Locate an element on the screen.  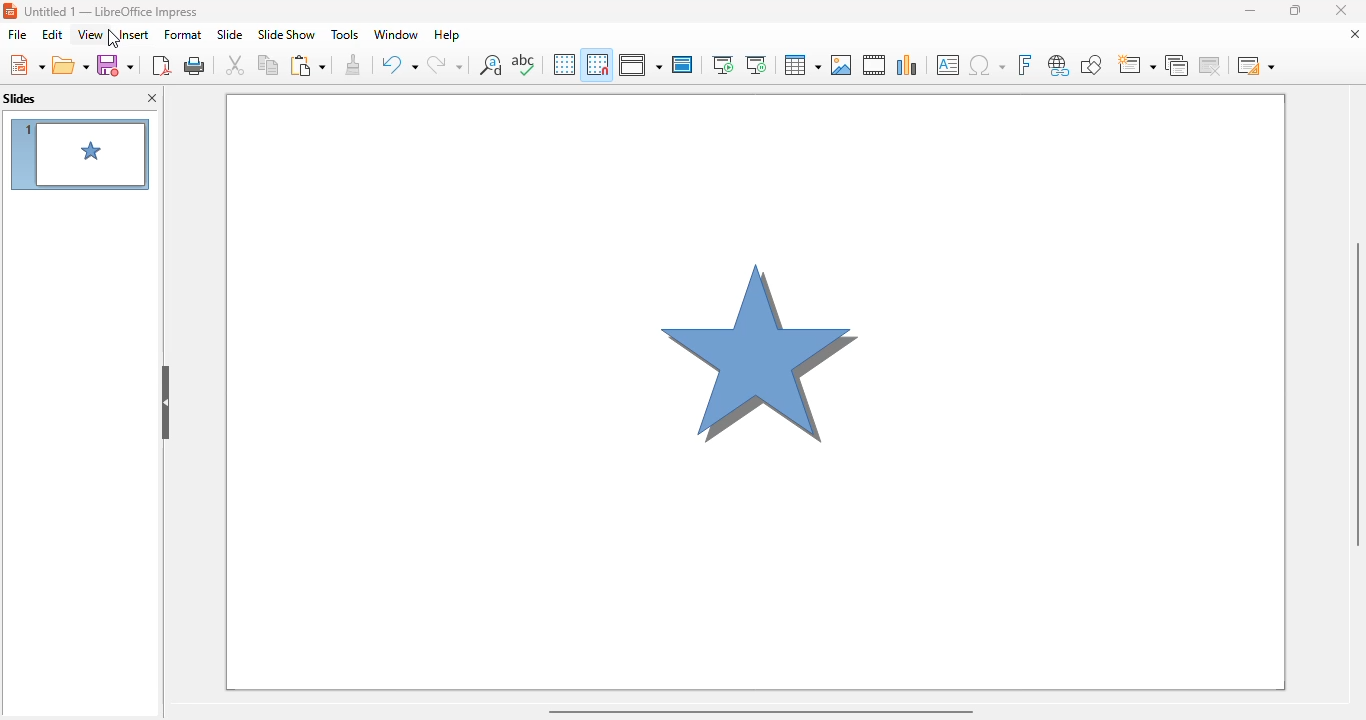
snap to grid is located at coordinates (598, 64).